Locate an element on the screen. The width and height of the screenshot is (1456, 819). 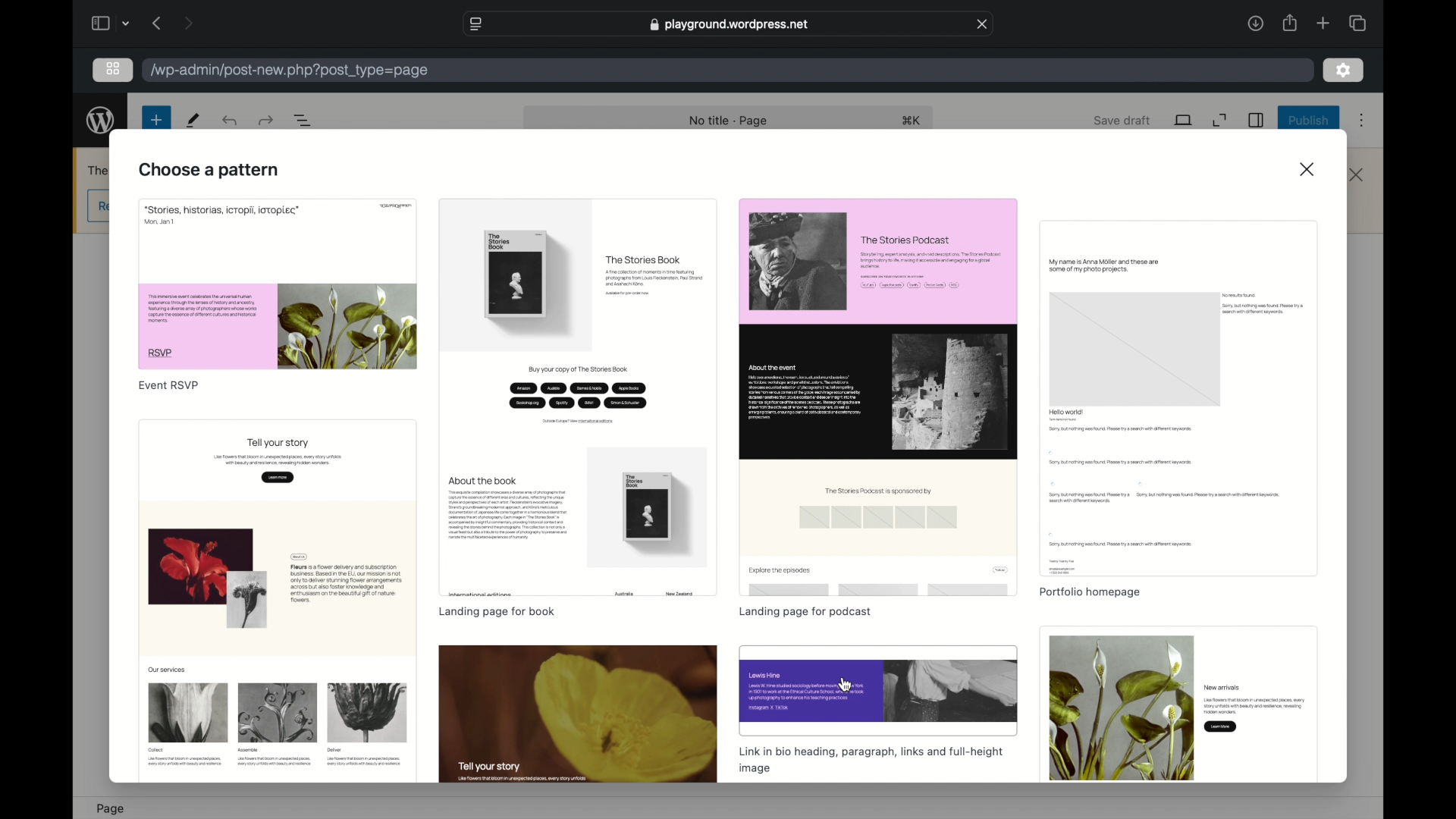
preview is located at coordinates (278, 599).